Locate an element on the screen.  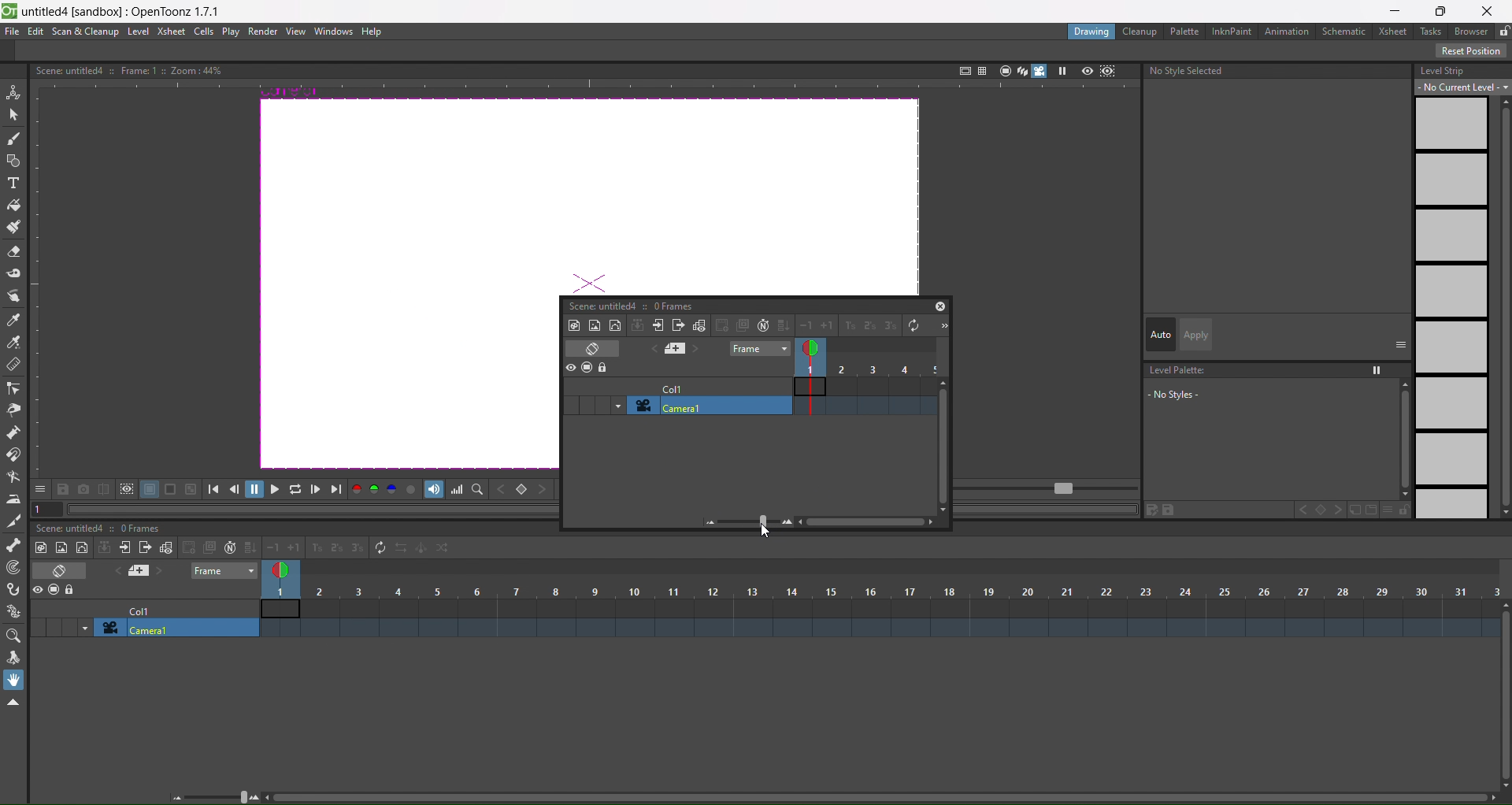
file is located at coordinates (13, 32).